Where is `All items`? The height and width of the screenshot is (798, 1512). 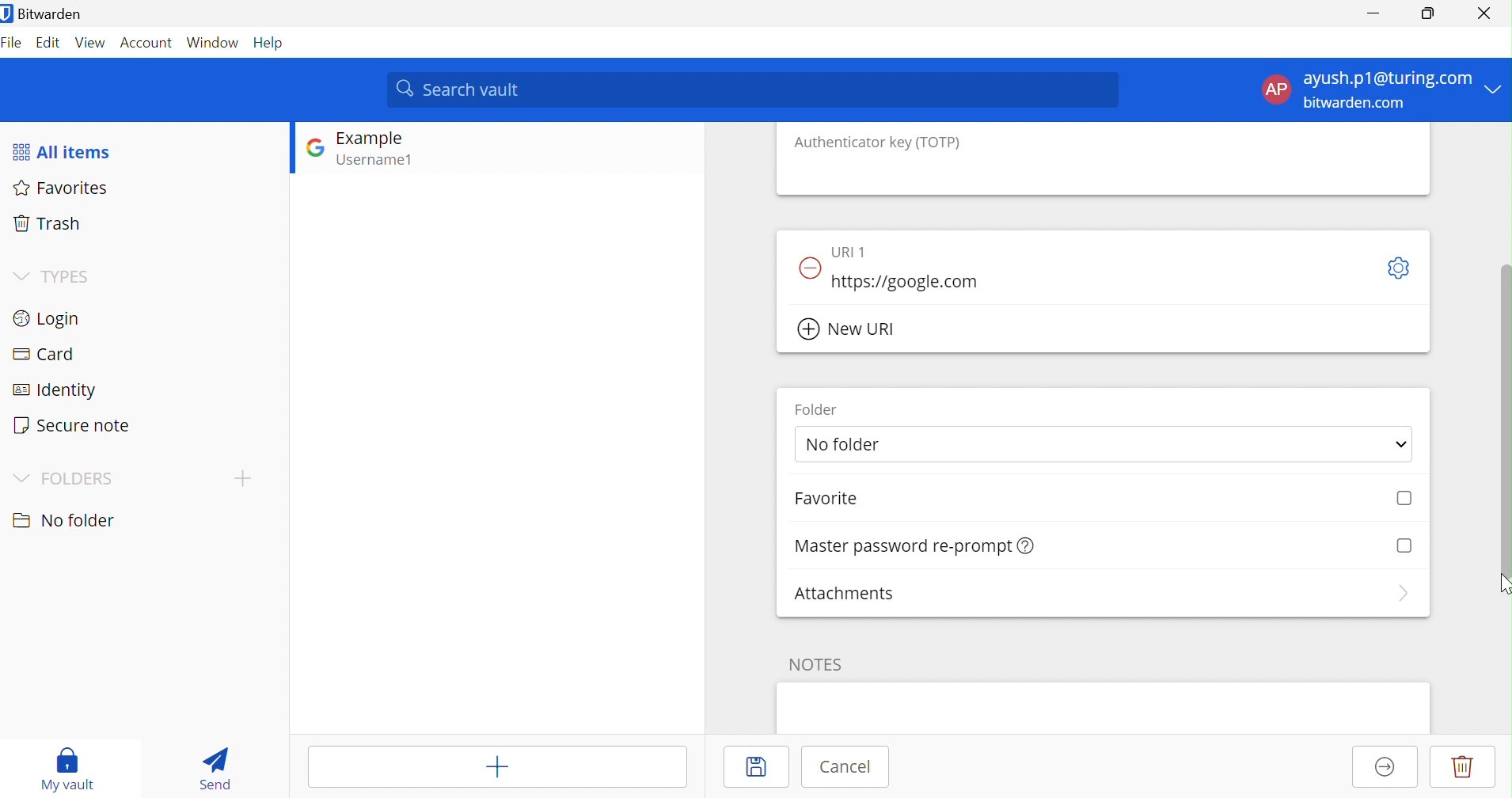
All items is located at coordinates (63, 150).